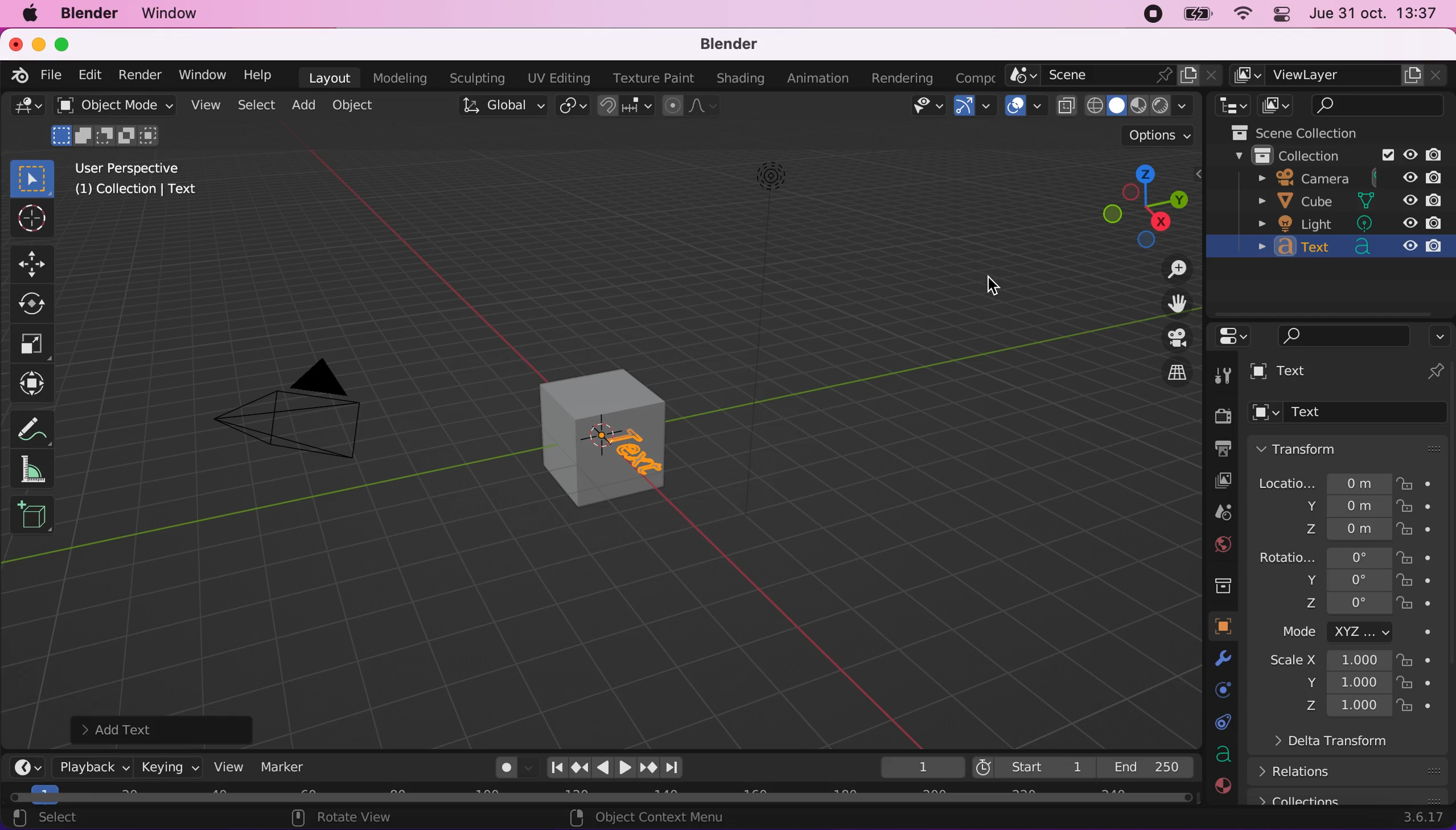 The height and width of the screenshot is (830, 1456). What do you see at coordinates (168, 766) in the screenshot?
I see `keying` at bounding box center [168, 766].